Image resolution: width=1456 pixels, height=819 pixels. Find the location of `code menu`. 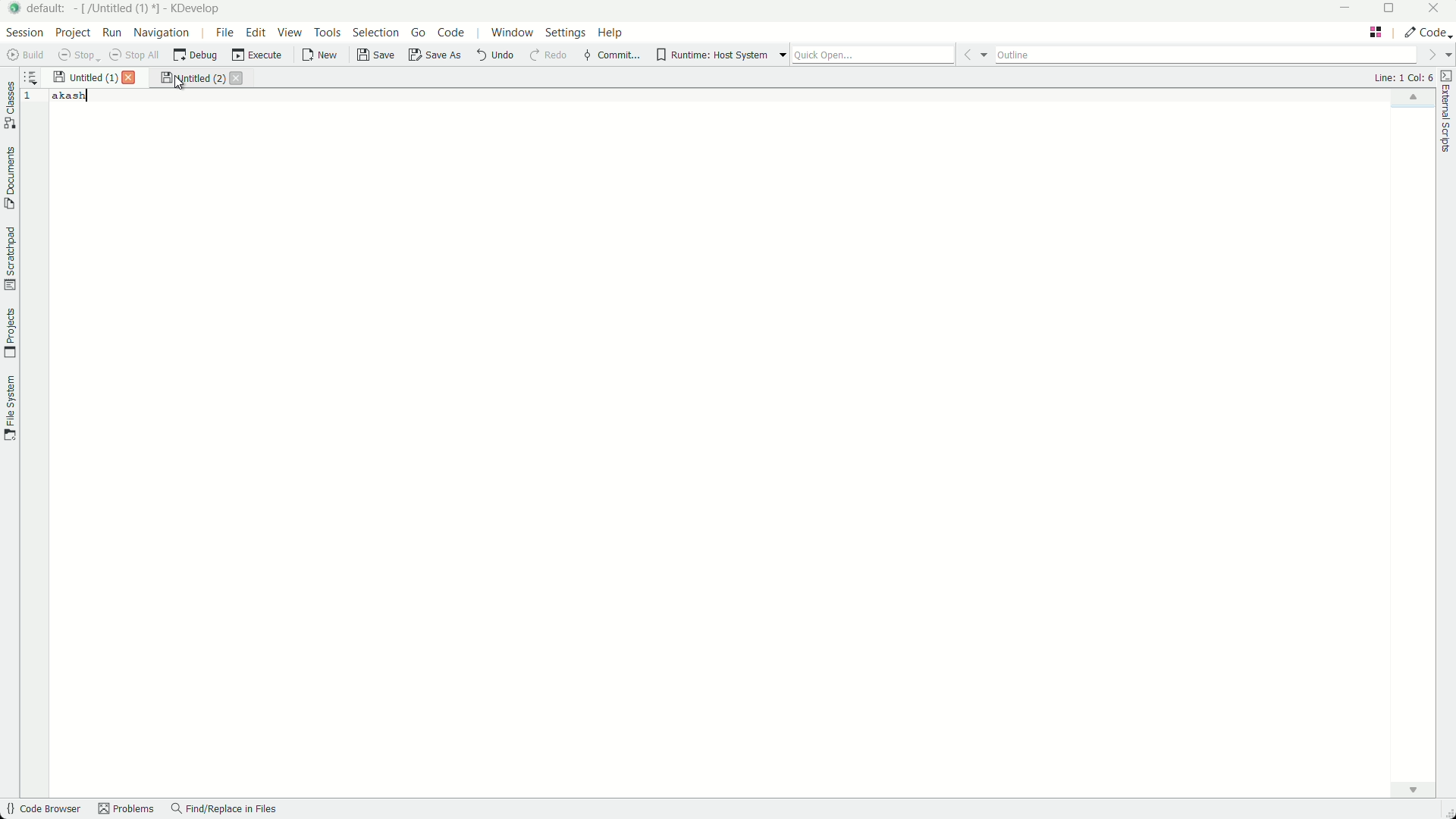

code menu is located at coordinates (452, 33).